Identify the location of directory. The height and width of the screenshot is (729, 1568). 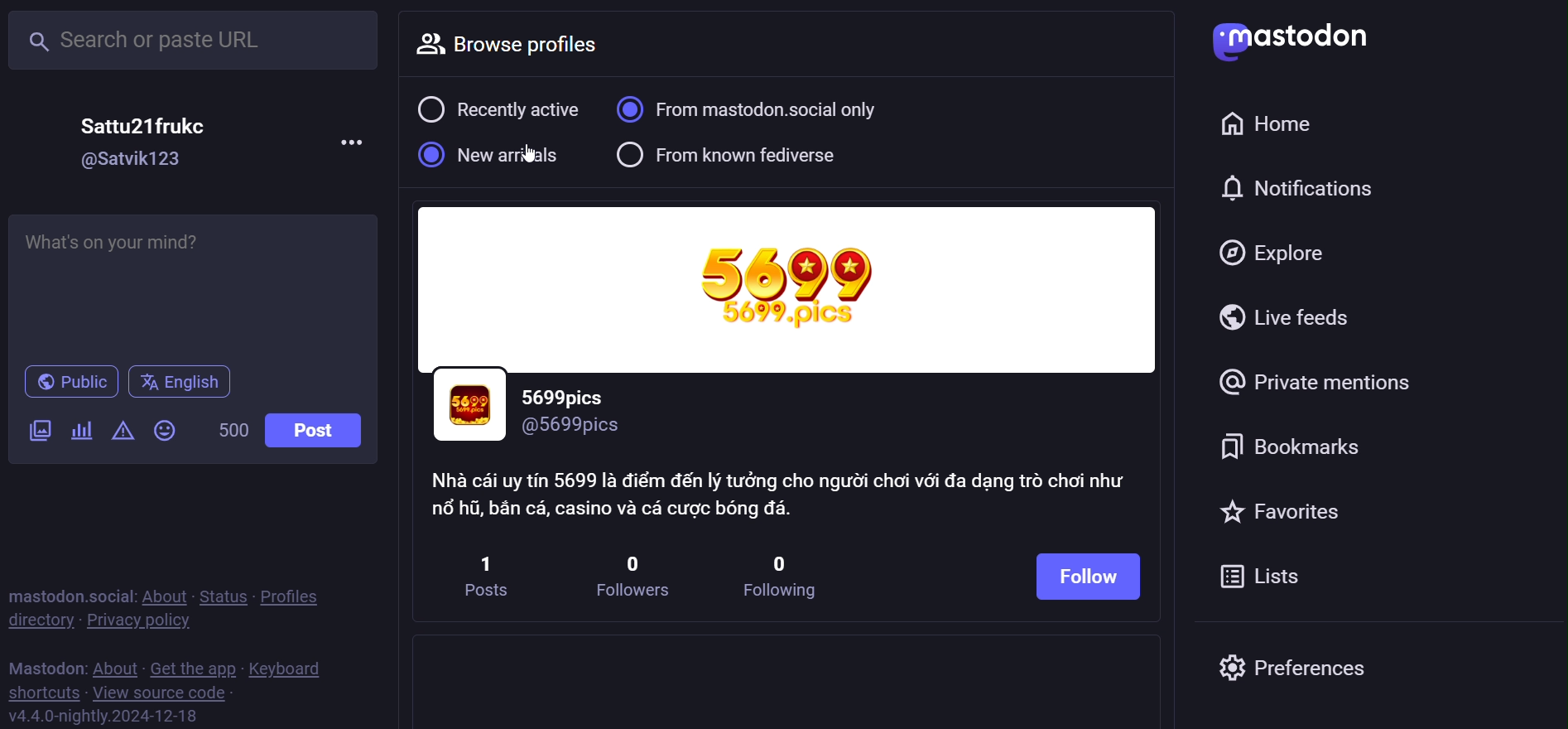
(41, 620).